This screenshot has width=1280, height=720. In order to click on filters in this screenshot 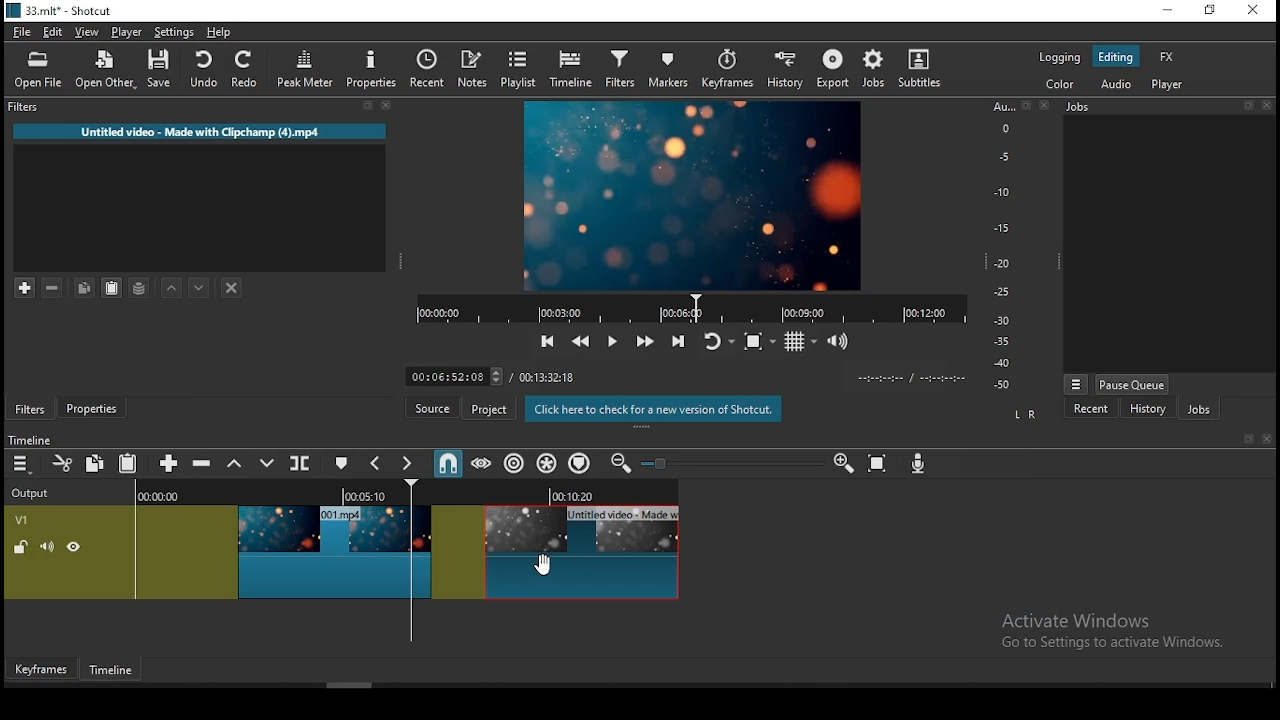, I will do `click(31, 409)`.